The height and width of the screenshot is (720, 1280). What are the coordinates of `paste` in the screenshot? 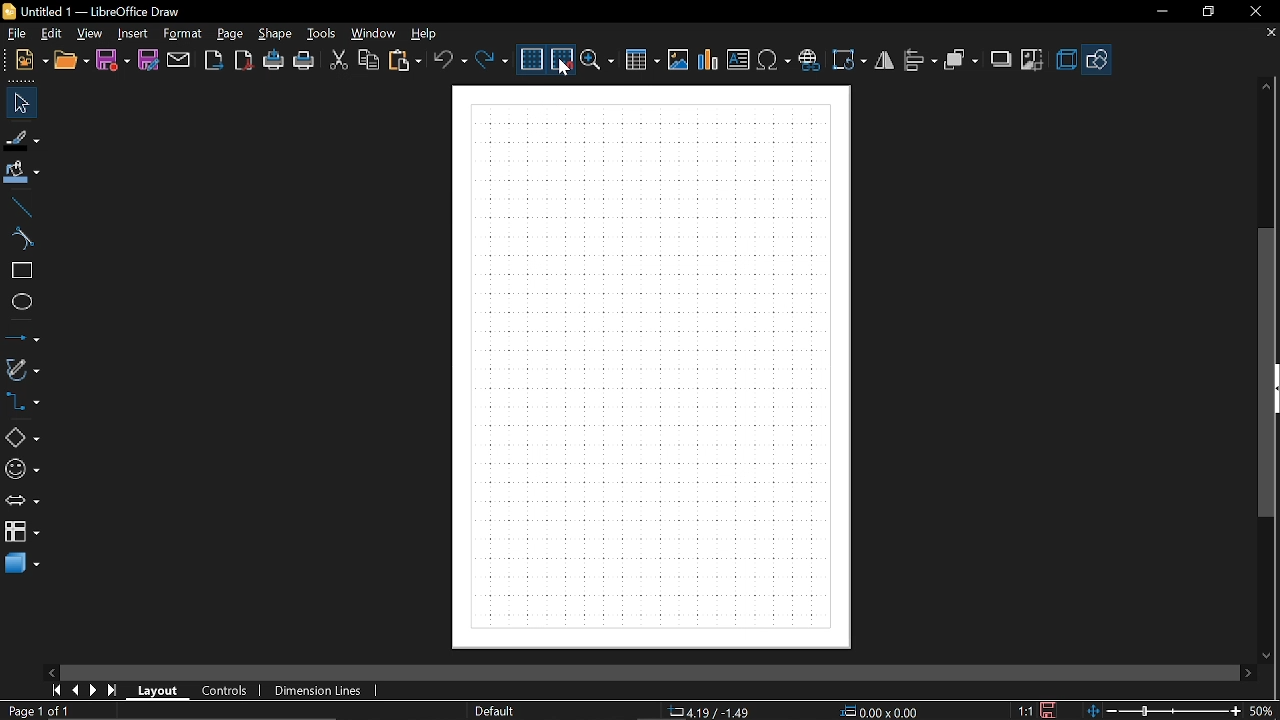 It's located at (408, 60).